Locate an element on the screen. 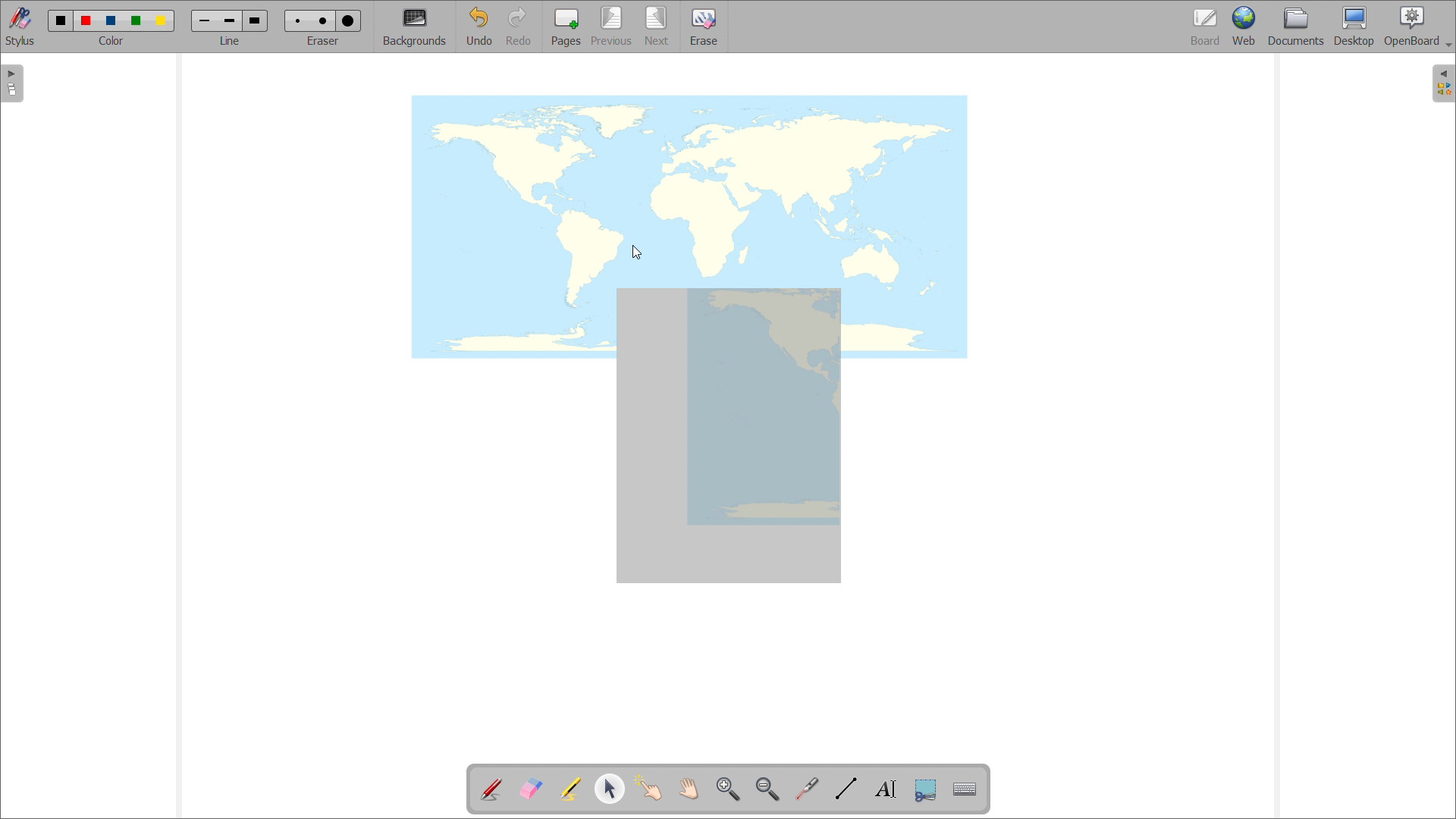 The height and width of the screenshot is (819, 1456). screenshot added to board is located at coordinates (731, 436).